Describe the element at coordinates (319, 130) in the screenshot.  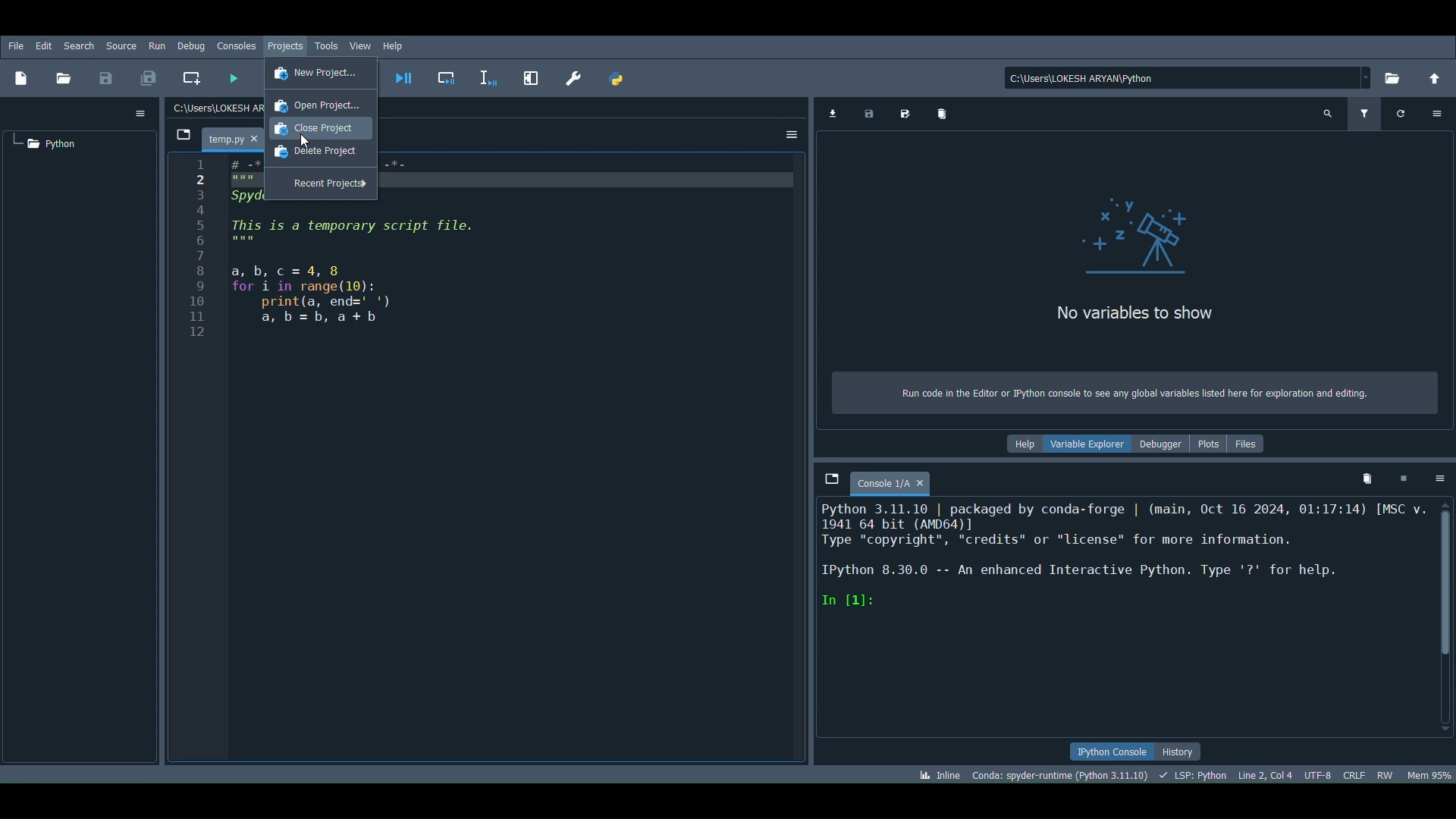
I see `Close project` at that location.